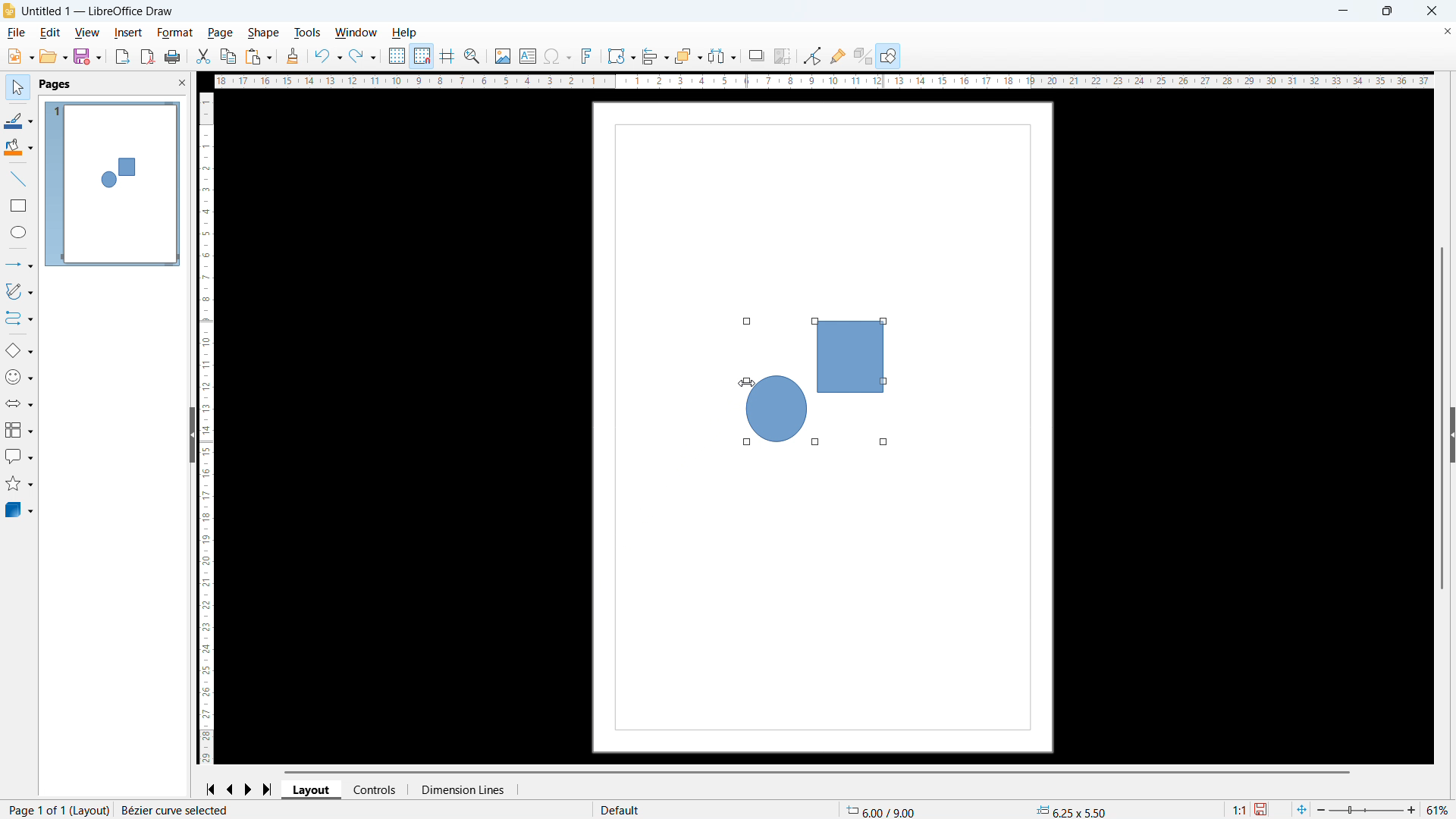  What do you see at coordinates (817, 382) in the screenshot?
I see `Grouped objects ` at bounding box center [817, 382].